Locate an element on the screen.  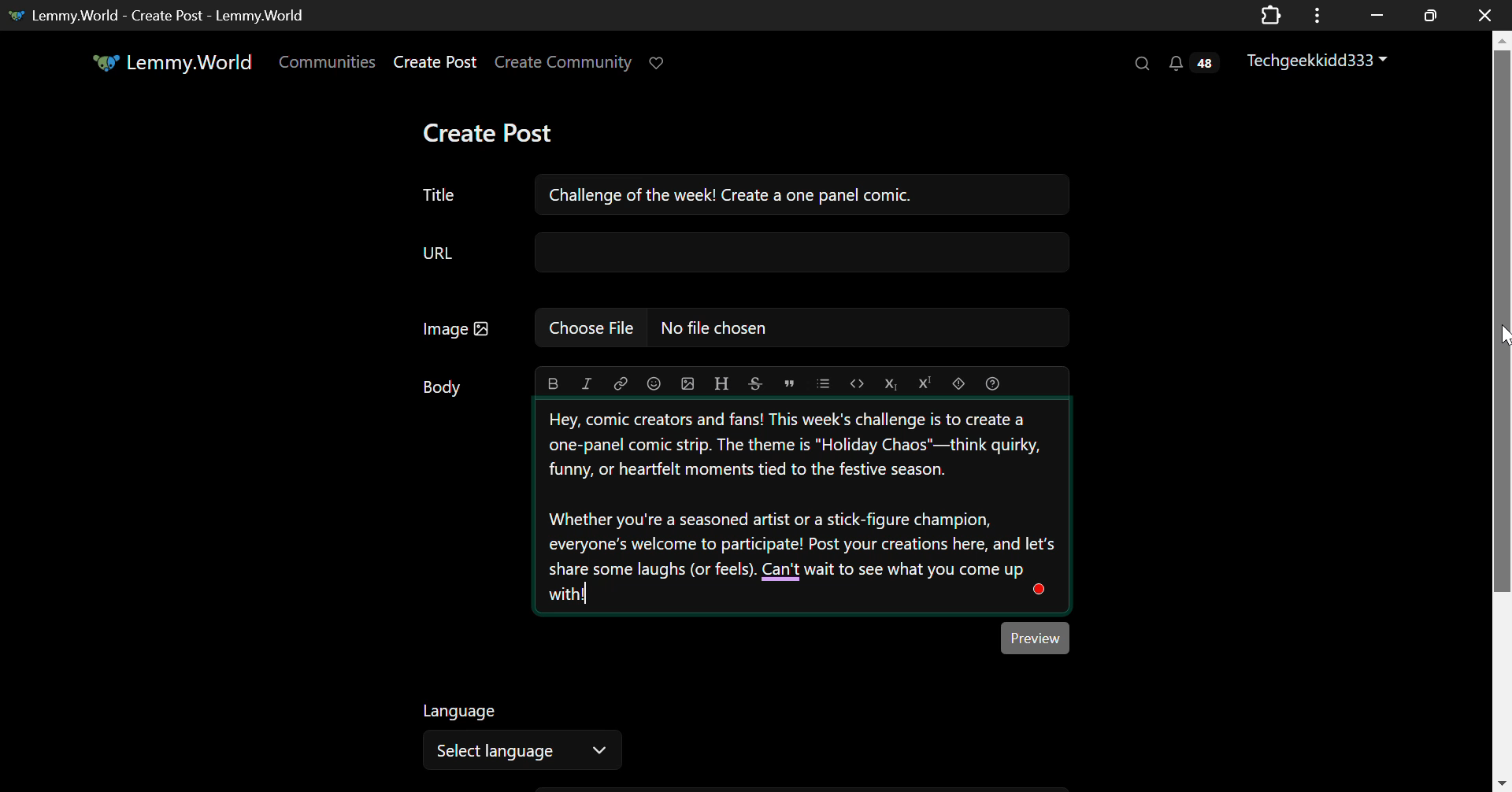
upload image is located at coordinates (689, 383).